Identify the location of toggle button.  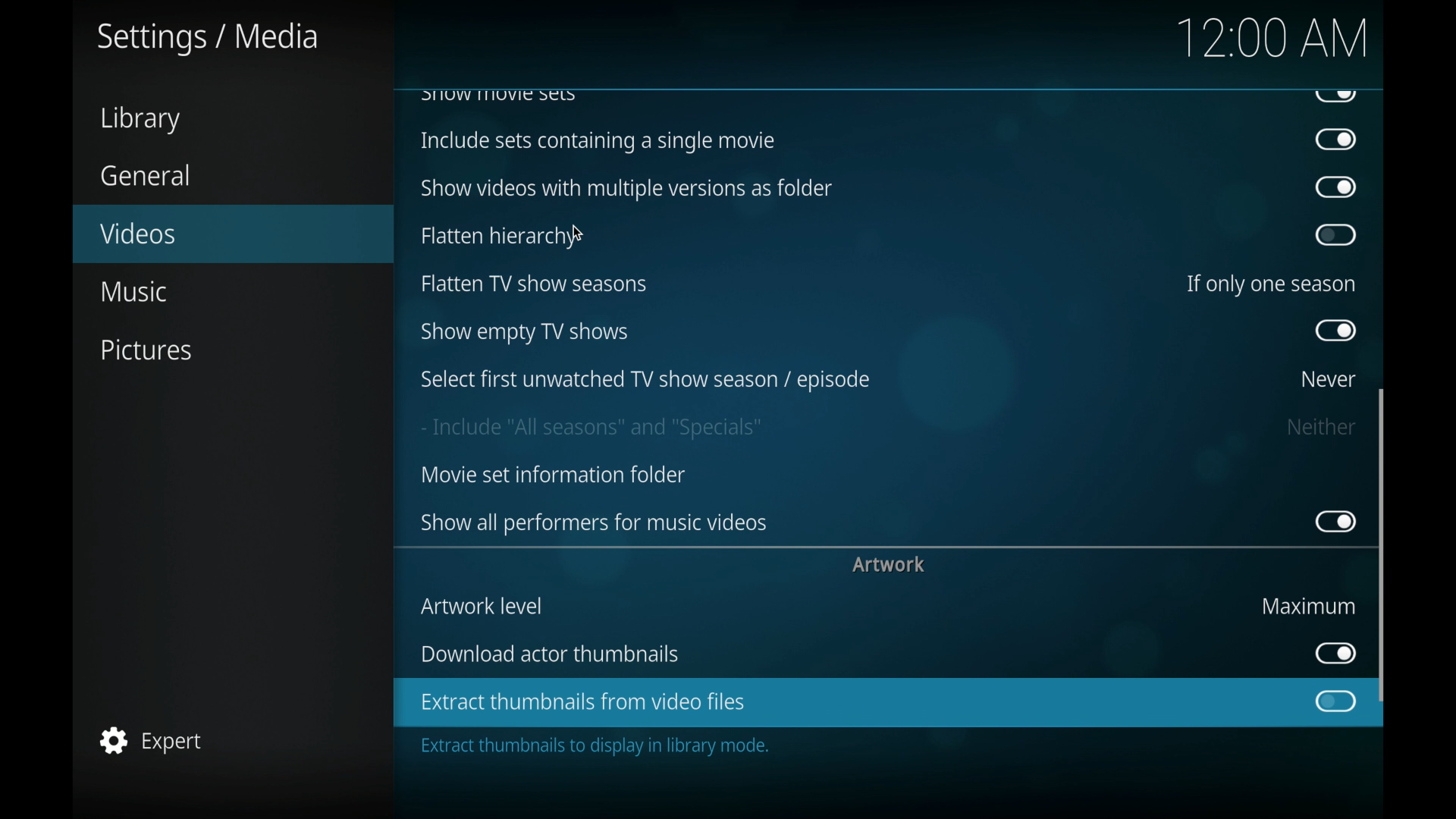
(1337, 235).